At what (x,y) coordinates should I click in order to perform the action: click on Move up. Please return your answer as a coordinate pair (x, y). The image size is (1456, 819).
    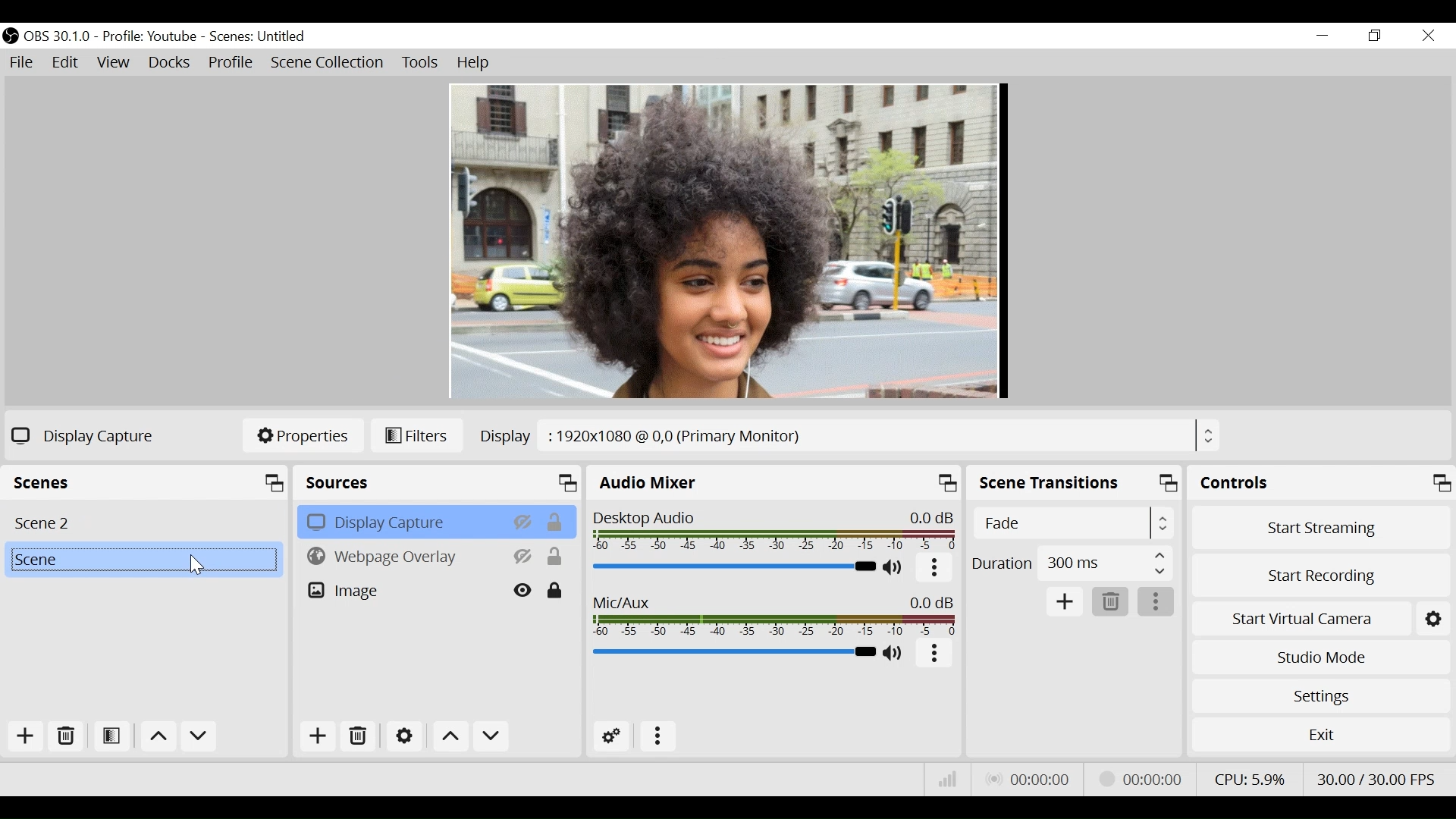
    Looking at the image, I should click on (157, 738).